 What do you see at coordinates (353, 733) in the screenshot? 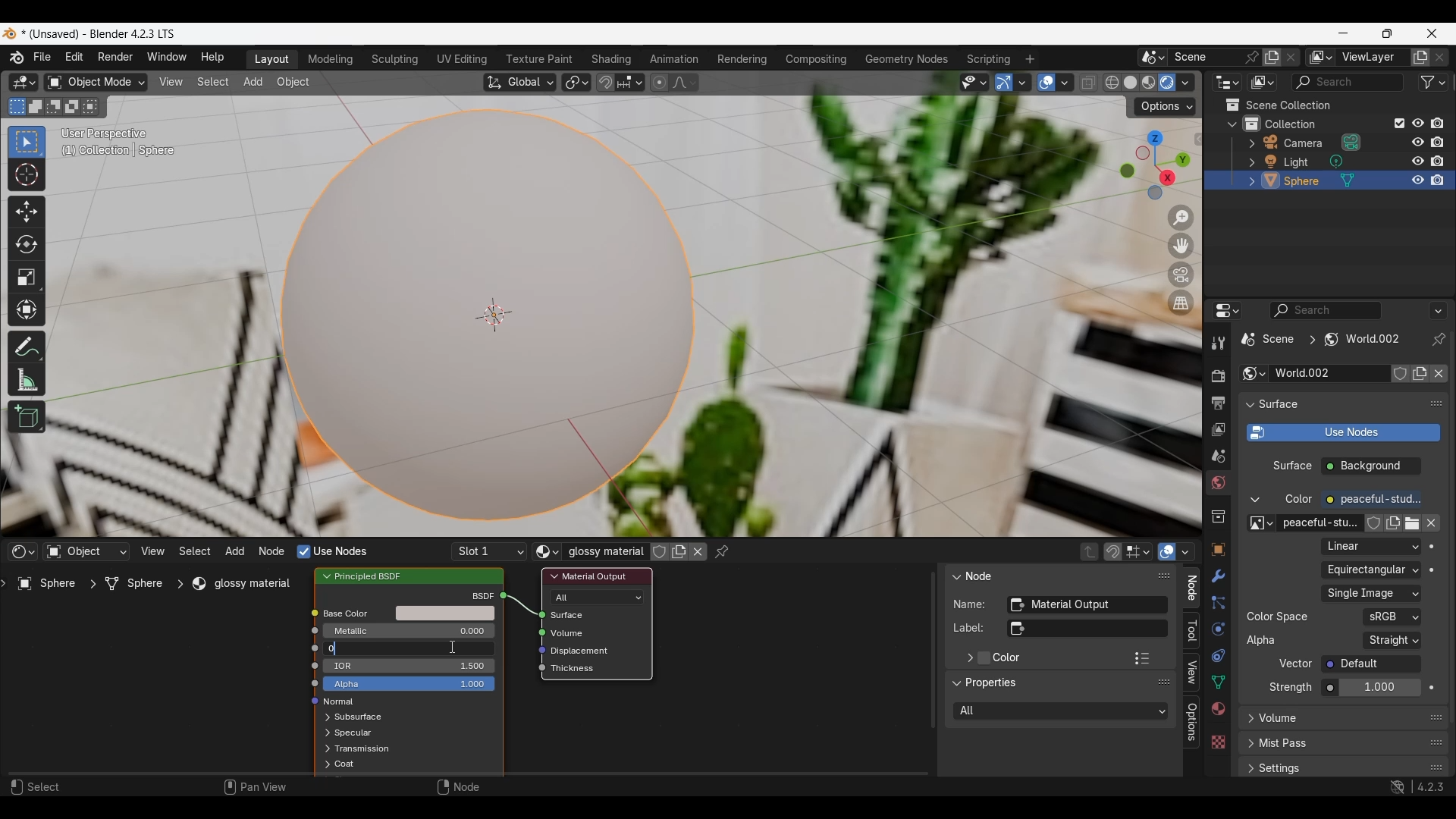
I see `Spectacular options` at bounding box center [353, 733].